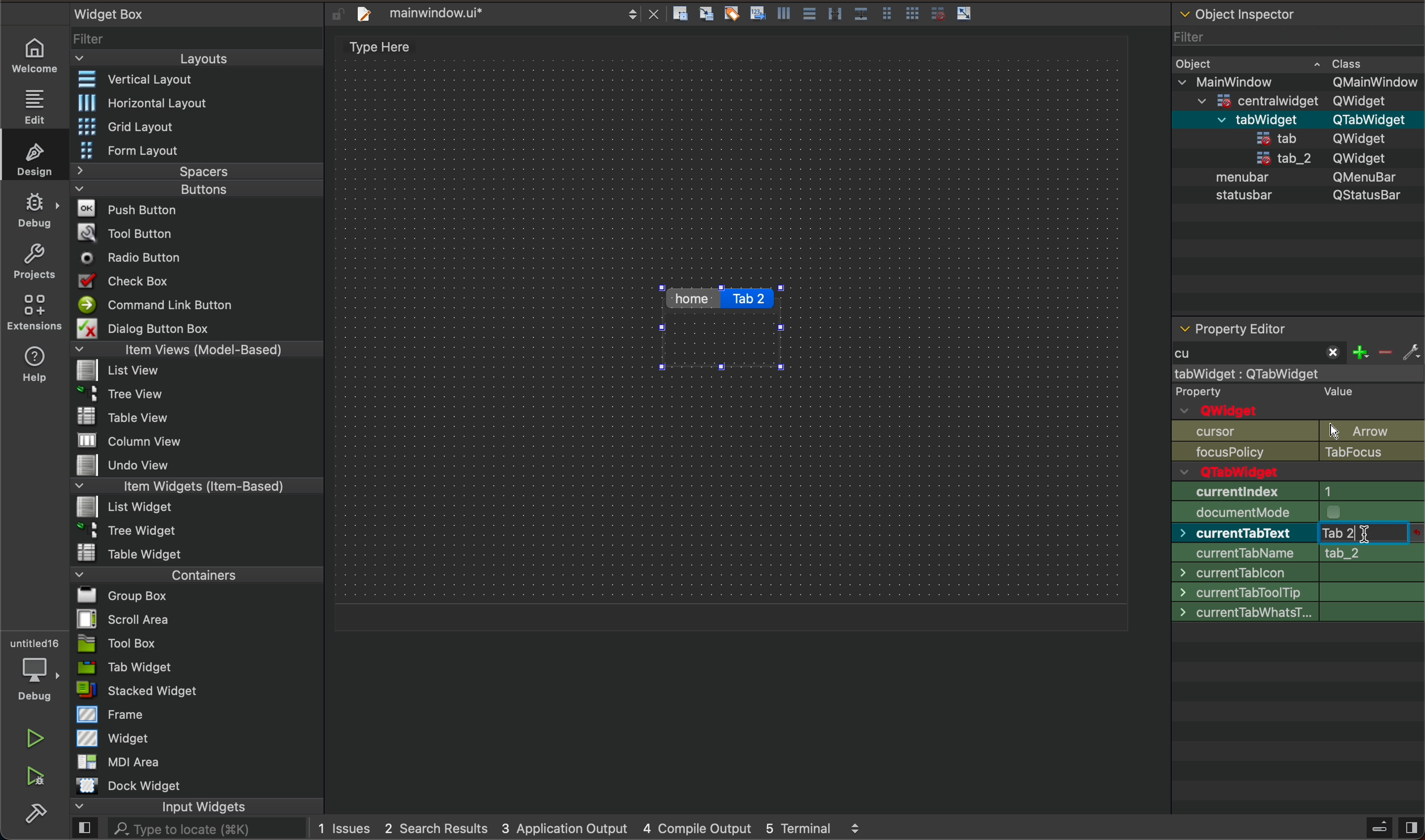  Describe the element at coordinates (117, 440) in the screenshot. I see `MW column view` at that location.